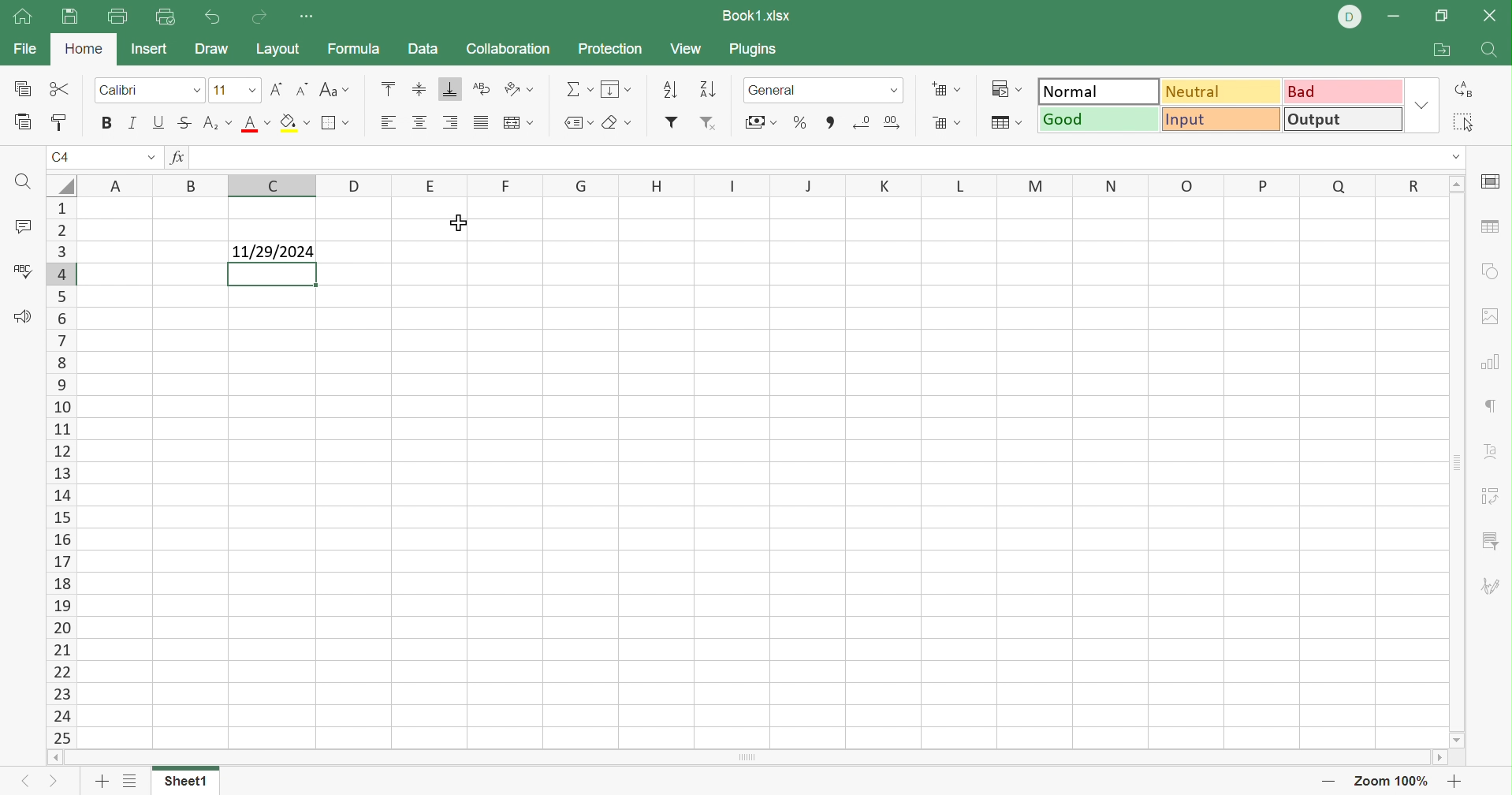 The width and height of the screenshot is (1512, 795). What do you see at coordinates (83, 51) in the screenshot?
I see `Home` at bounding box center [83, 51].